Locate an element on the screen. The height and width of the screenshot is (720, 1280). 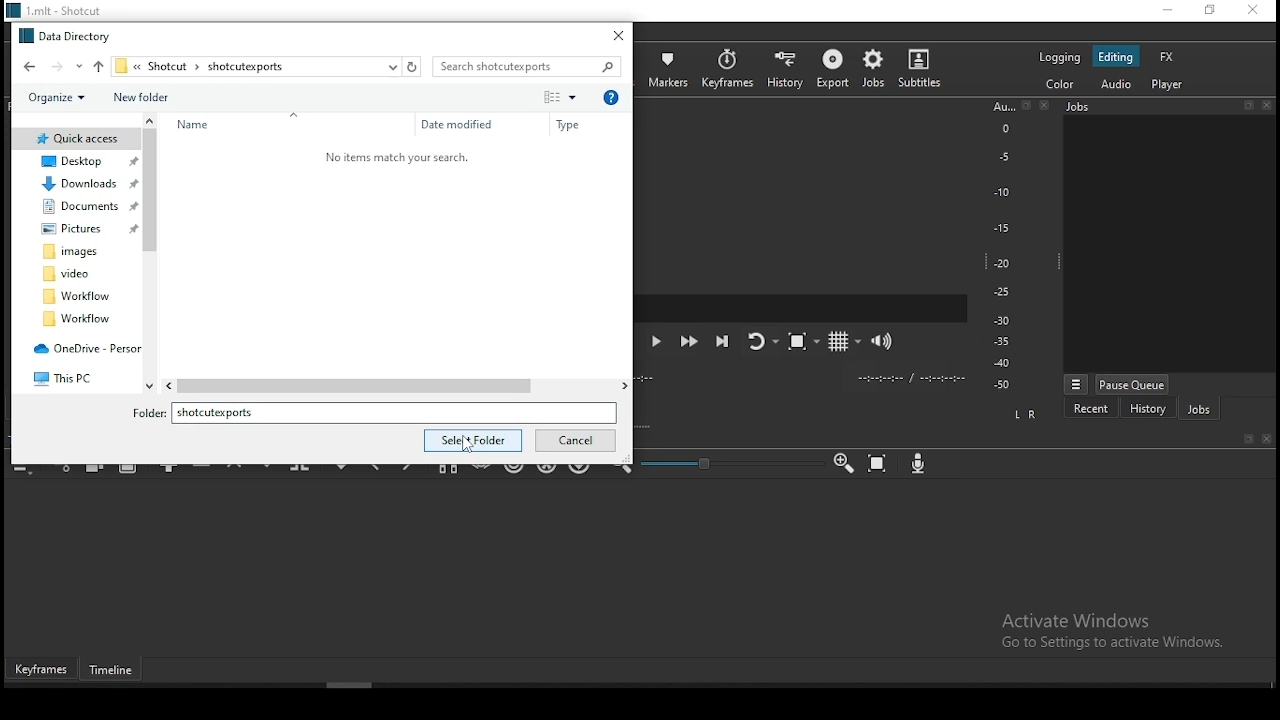
close is located at coordinates (1049, 106).